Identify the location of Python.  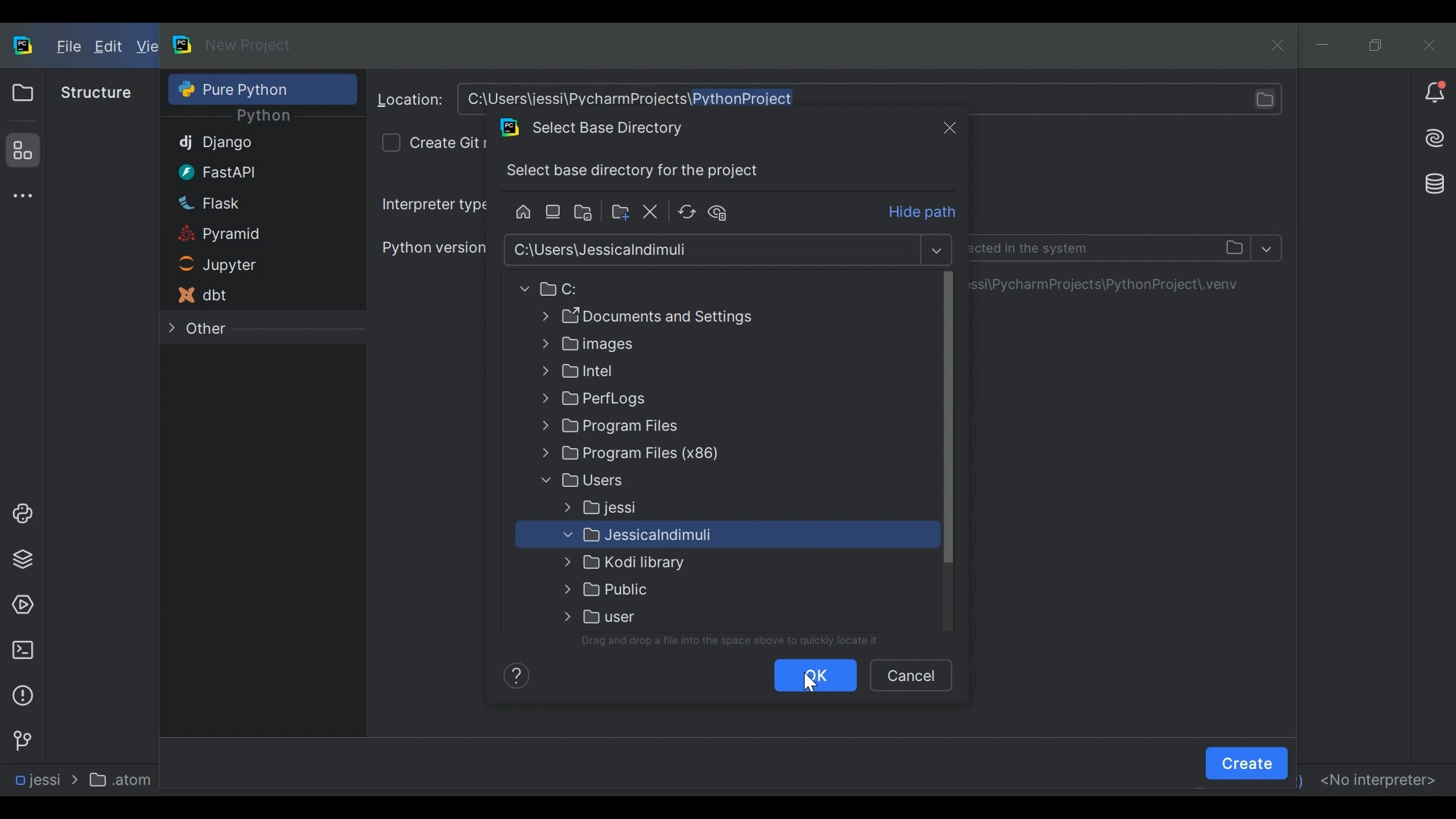
(263, 117).